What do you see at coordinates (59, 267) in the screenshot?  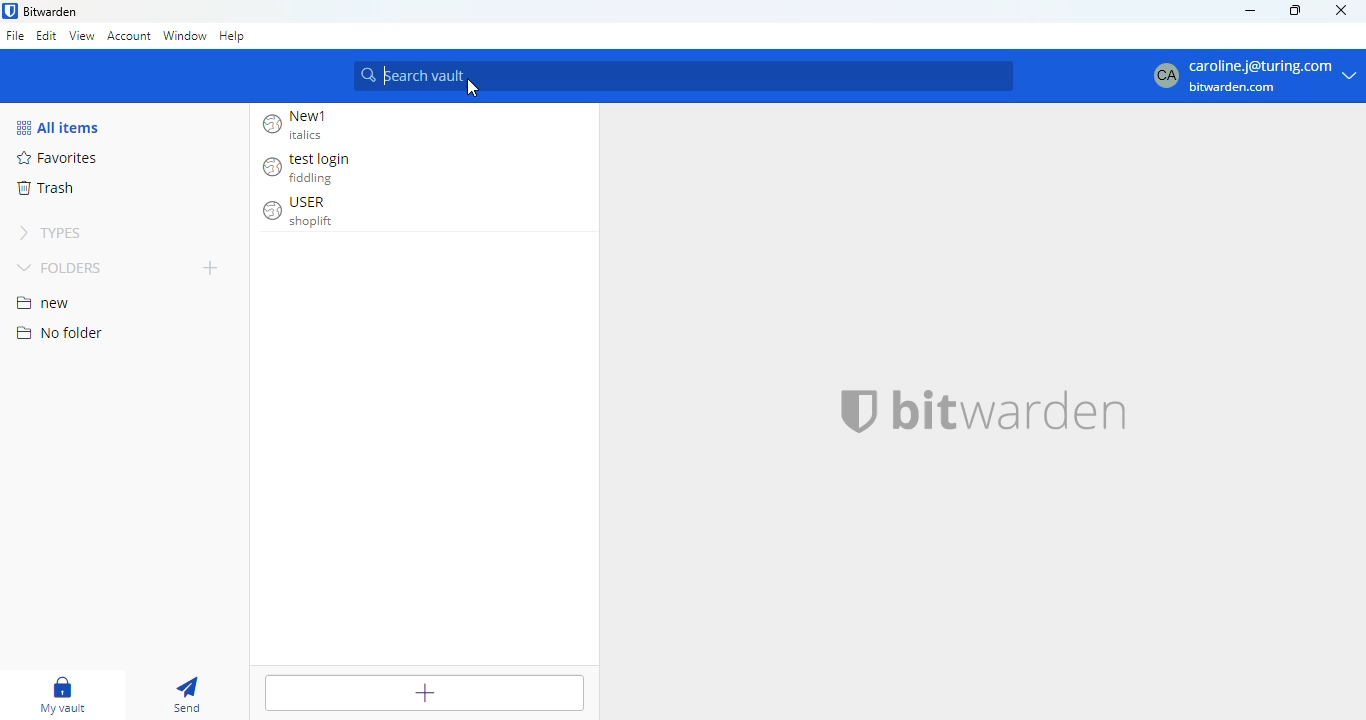 I see `folders` at bounding box center [59, 267].